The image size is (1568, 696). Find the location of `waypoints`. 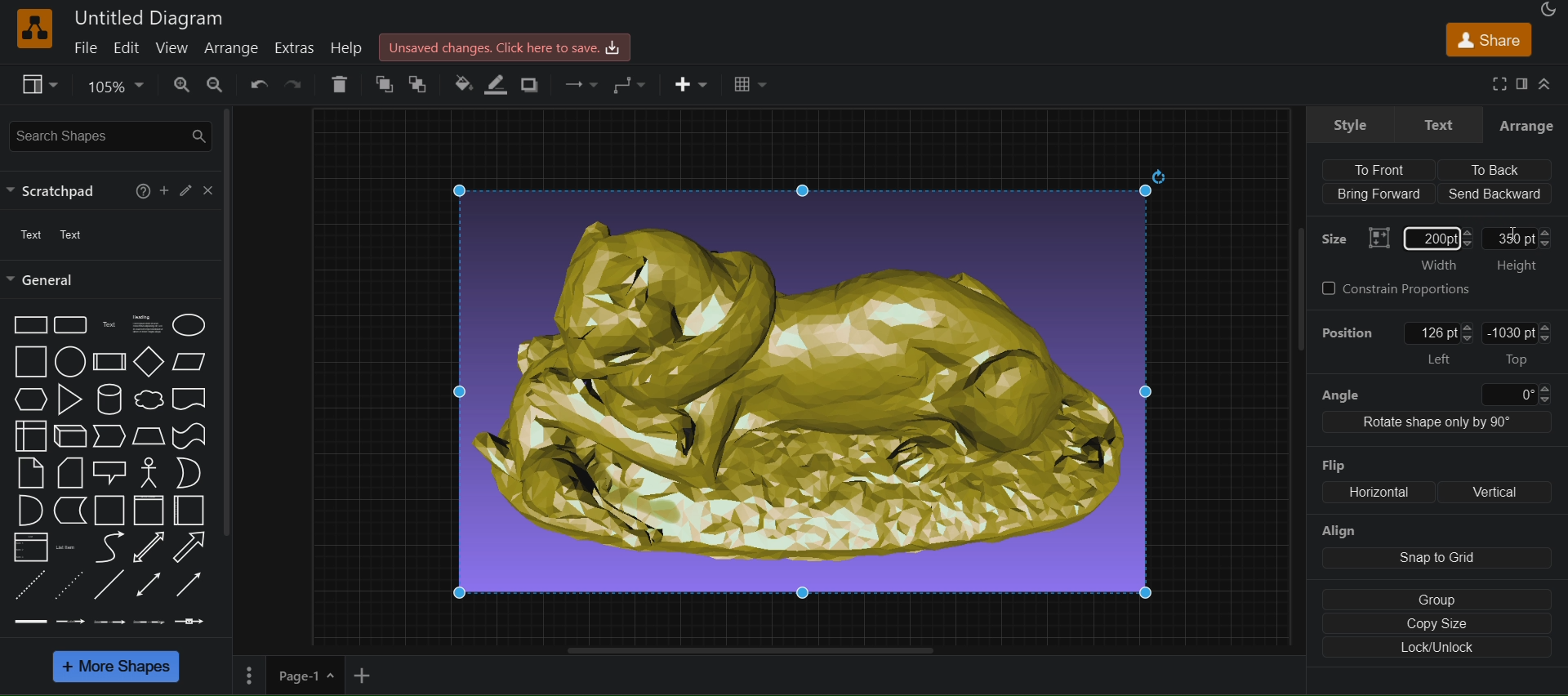

waypoints is located at coordinates (579, 86).